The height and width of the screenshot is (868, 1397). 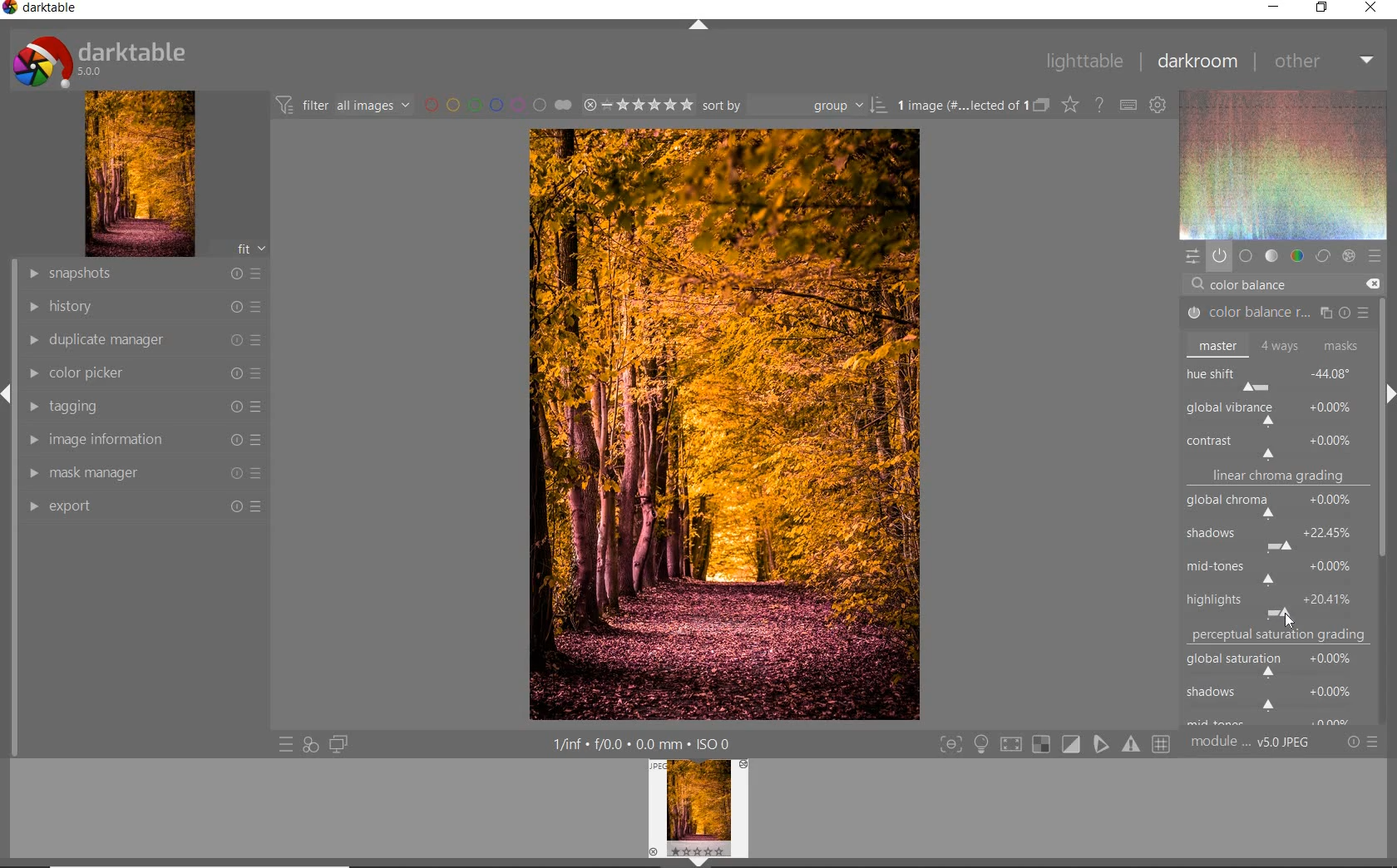 What do you see at coordinates (1274, 570) in the screenshot?
I see `mid-tones` at bounding box center [1274, 570].